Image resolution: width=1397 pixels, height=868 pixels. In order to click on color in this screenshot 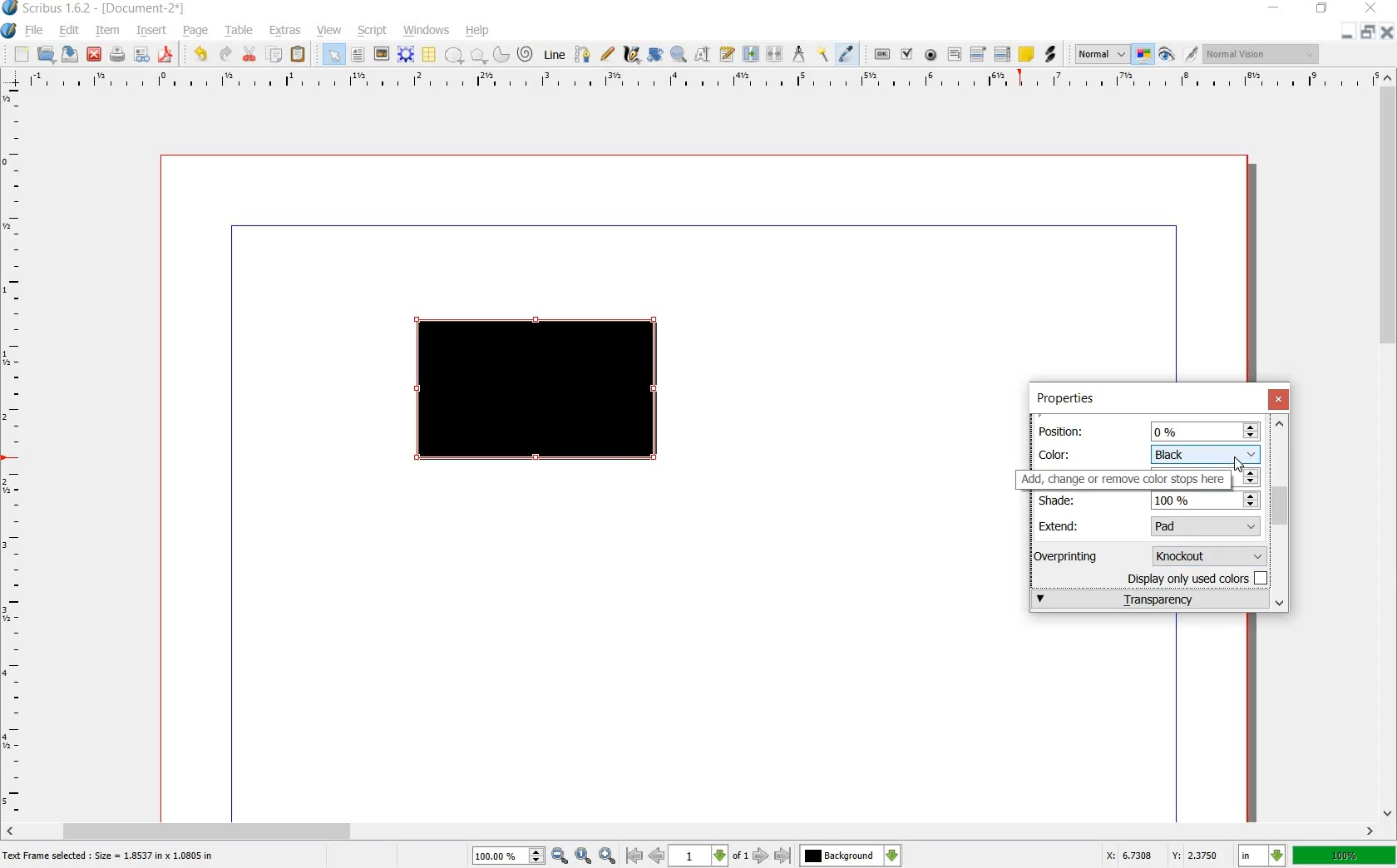, I will do `click(1062, 453)`.